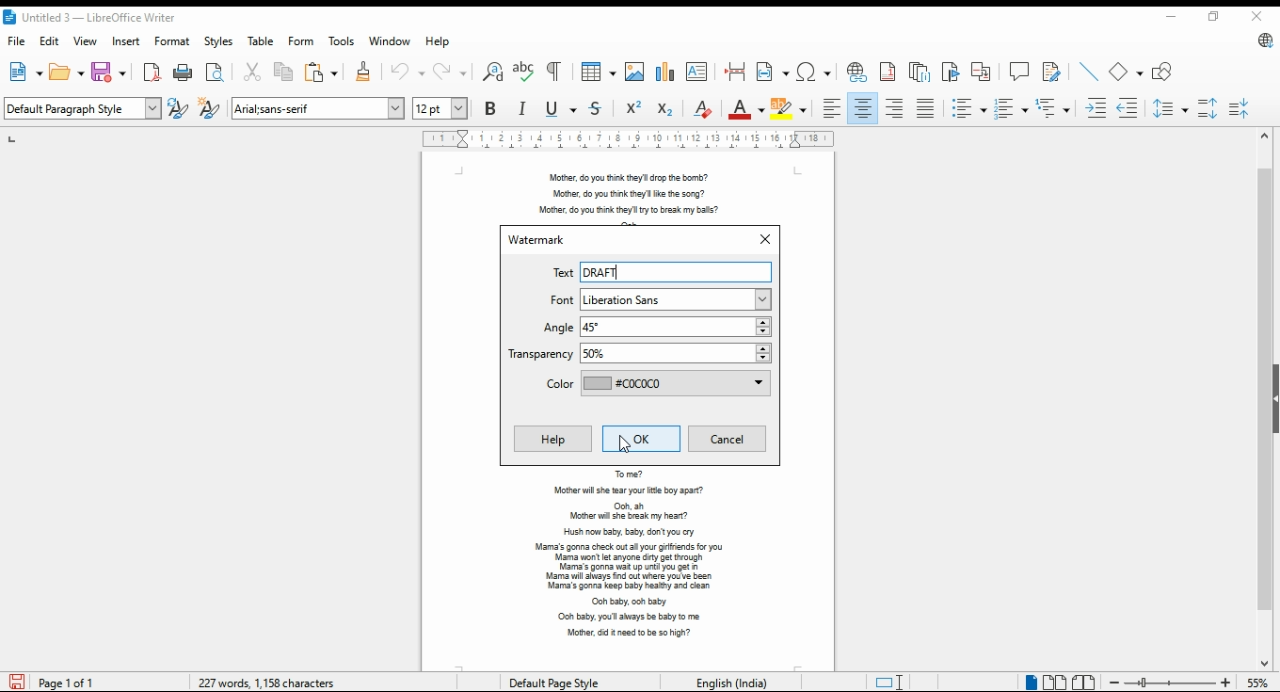  What do you see at coordinates (791, 108) in the screenshot?
I see `highlight color` at bounding box center [791, 108].